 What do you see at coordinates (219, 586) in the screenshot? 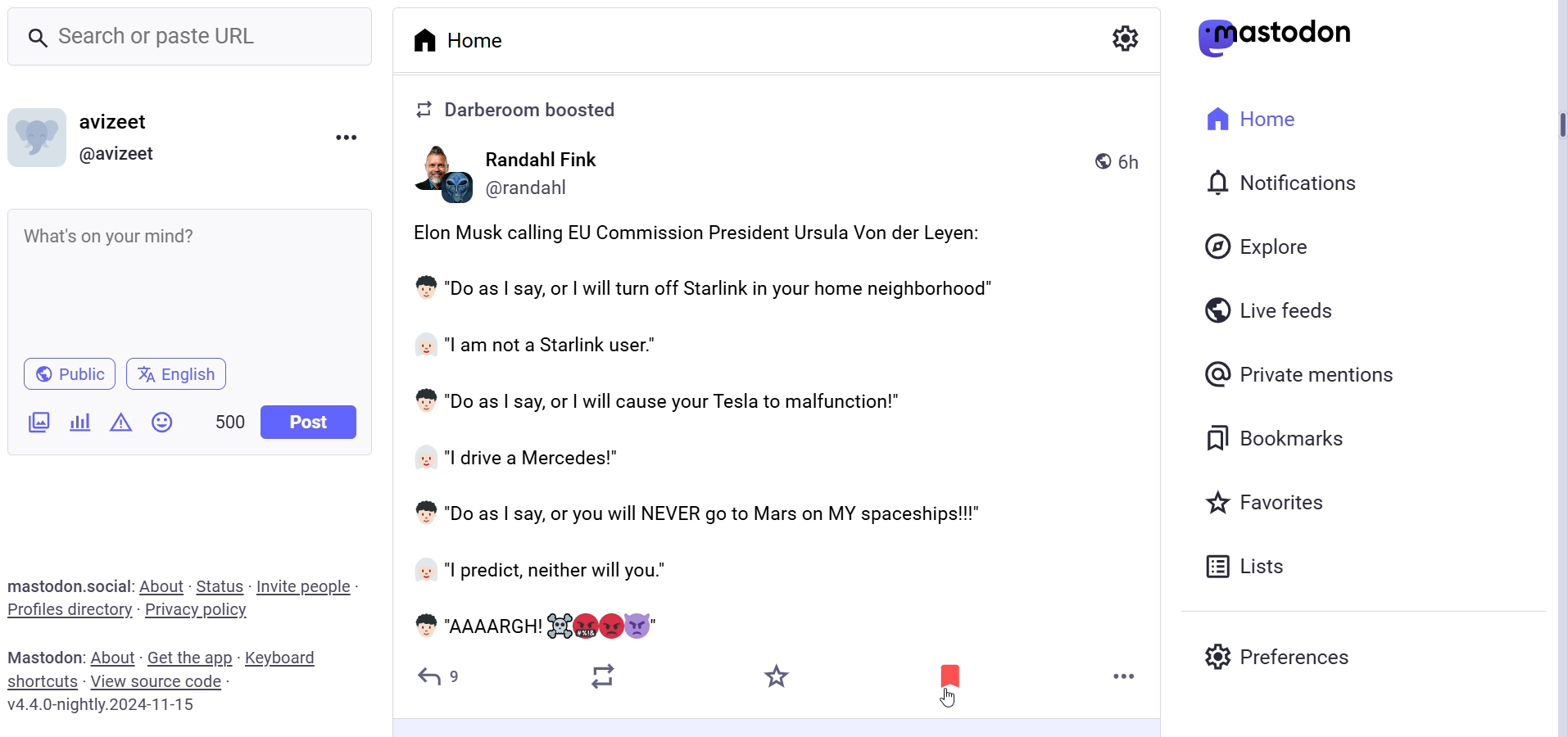
I see `Status` at bounding box center [219, 586].